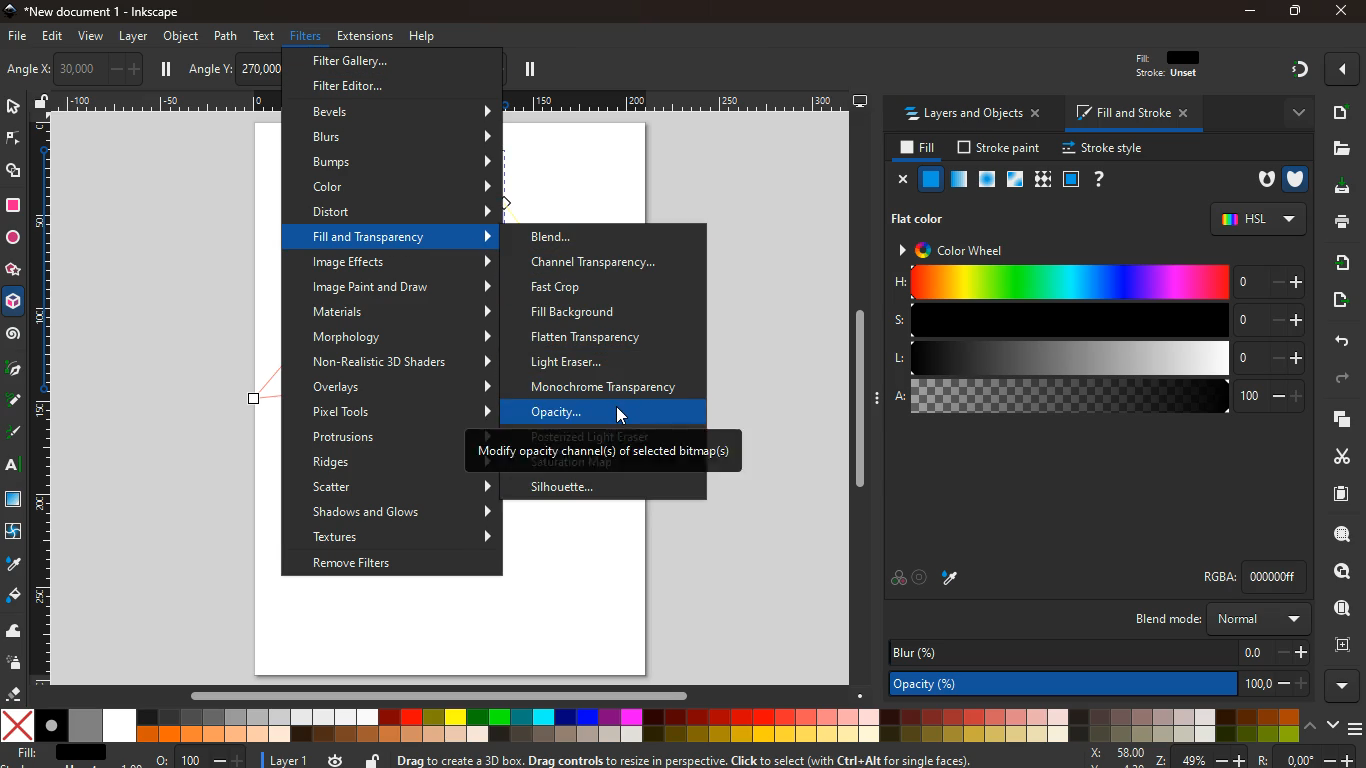 The height and width of the screenshot is (768, 1366). Describe the element at coordinates (388, 564) in the screenshot. I see `remove filters` at that location.